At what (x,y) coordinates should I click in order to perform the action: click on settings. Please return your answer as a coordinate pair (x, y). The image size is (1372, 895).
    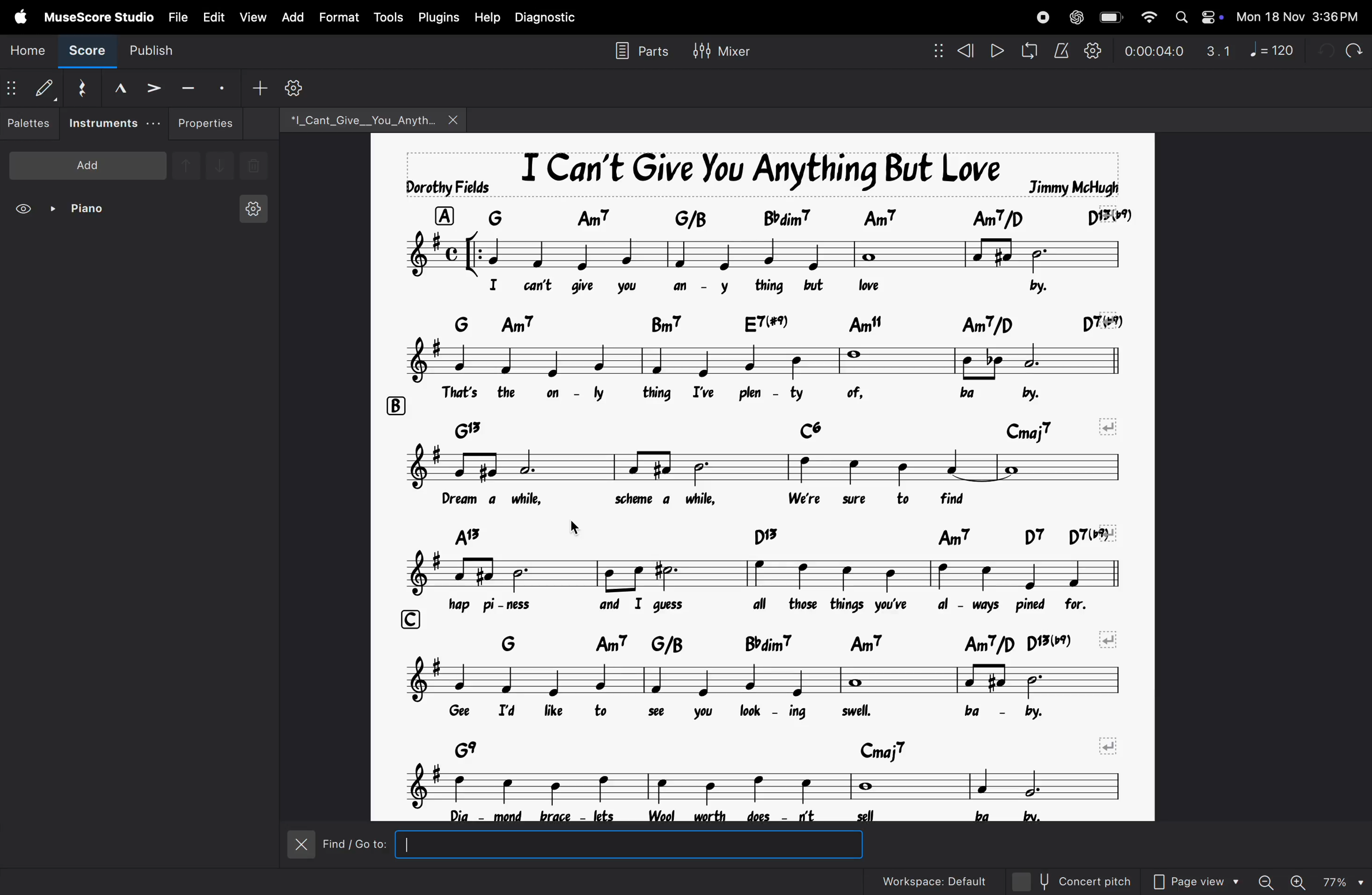
    Looking at the image, I should click on (293, 88).